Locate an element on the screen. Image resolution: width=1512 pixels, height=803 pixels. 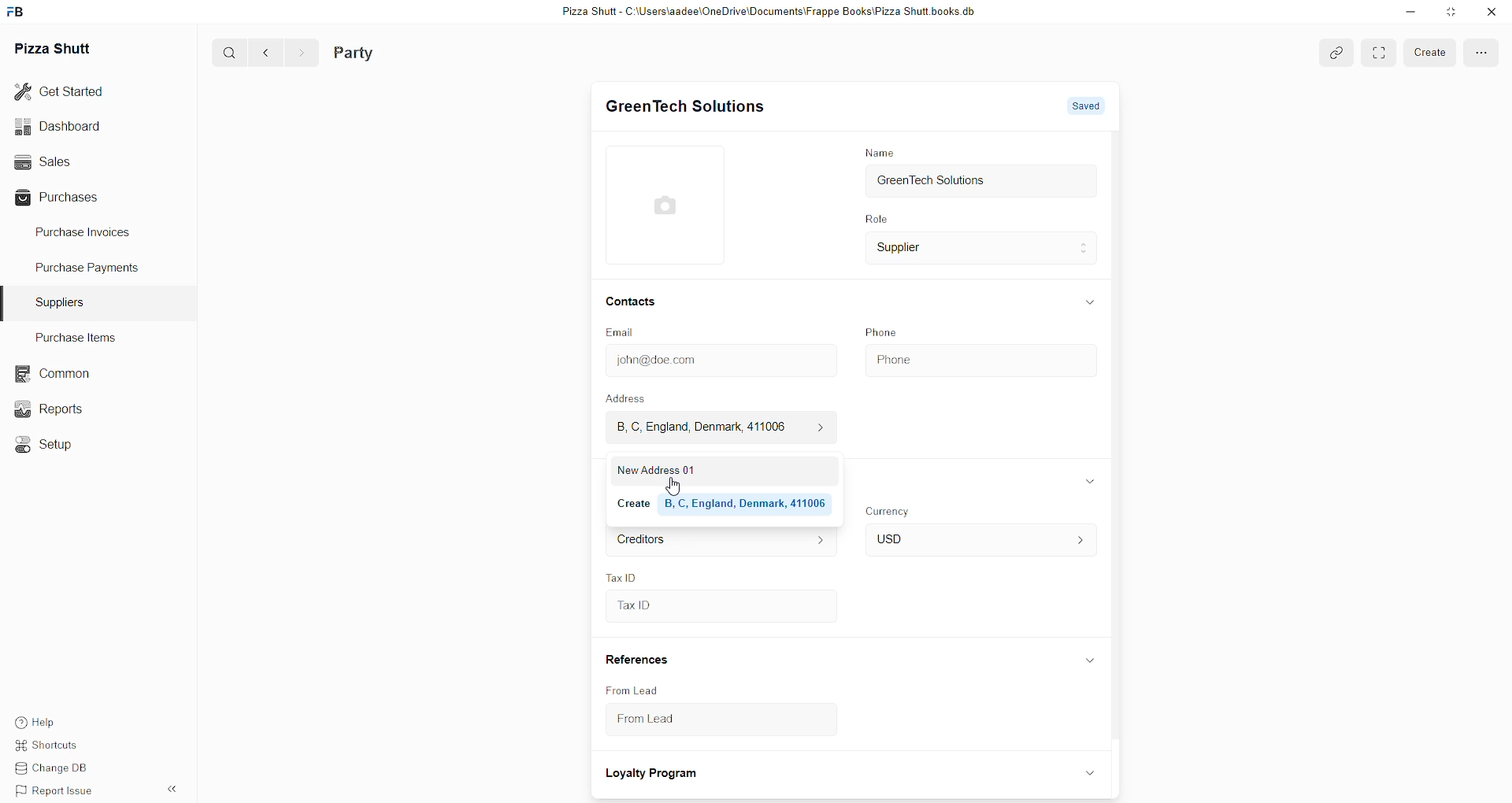
Tax ID is located at coordinates (719, 607).